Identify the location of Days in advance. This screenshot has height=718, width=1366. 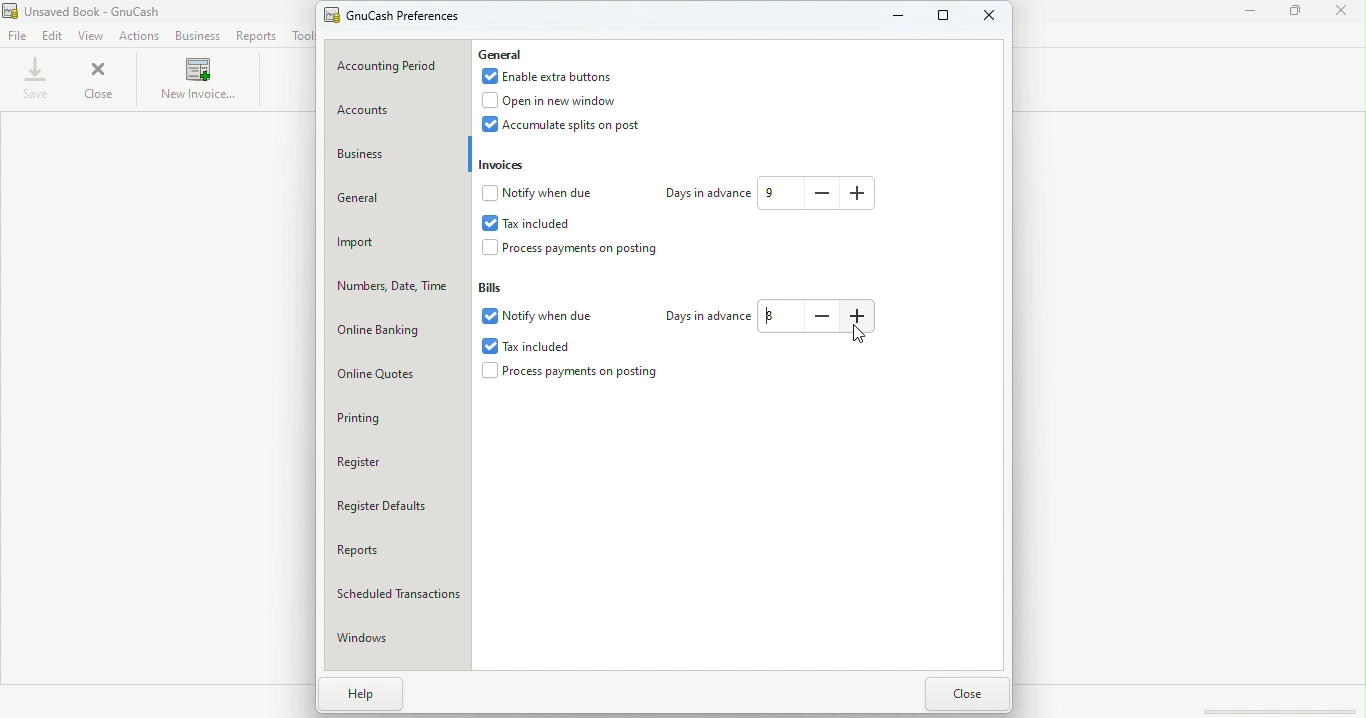
(704, 317).